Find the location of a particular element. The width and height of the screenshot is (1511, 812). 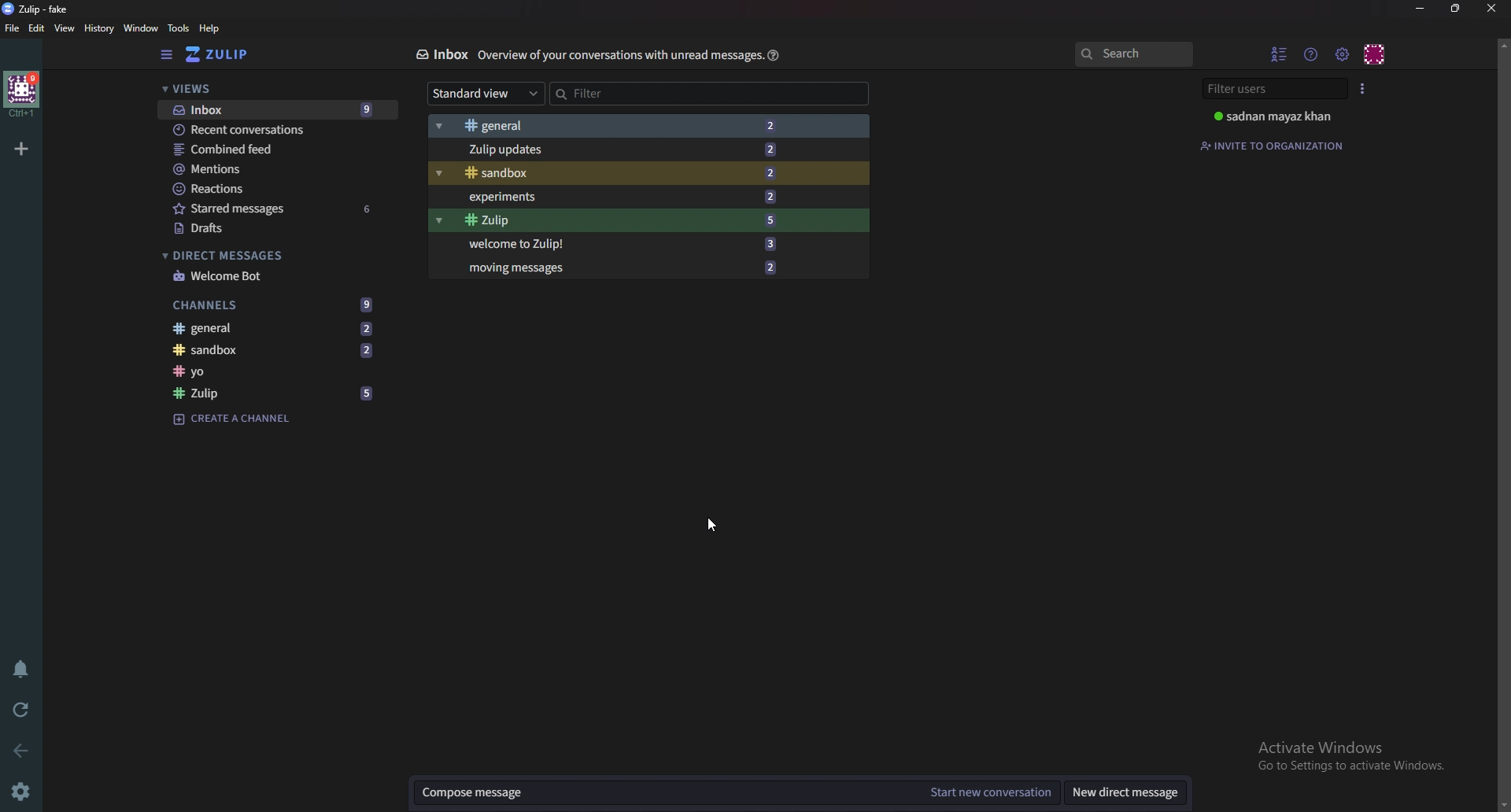

User is located at coordinates (1276, 116).